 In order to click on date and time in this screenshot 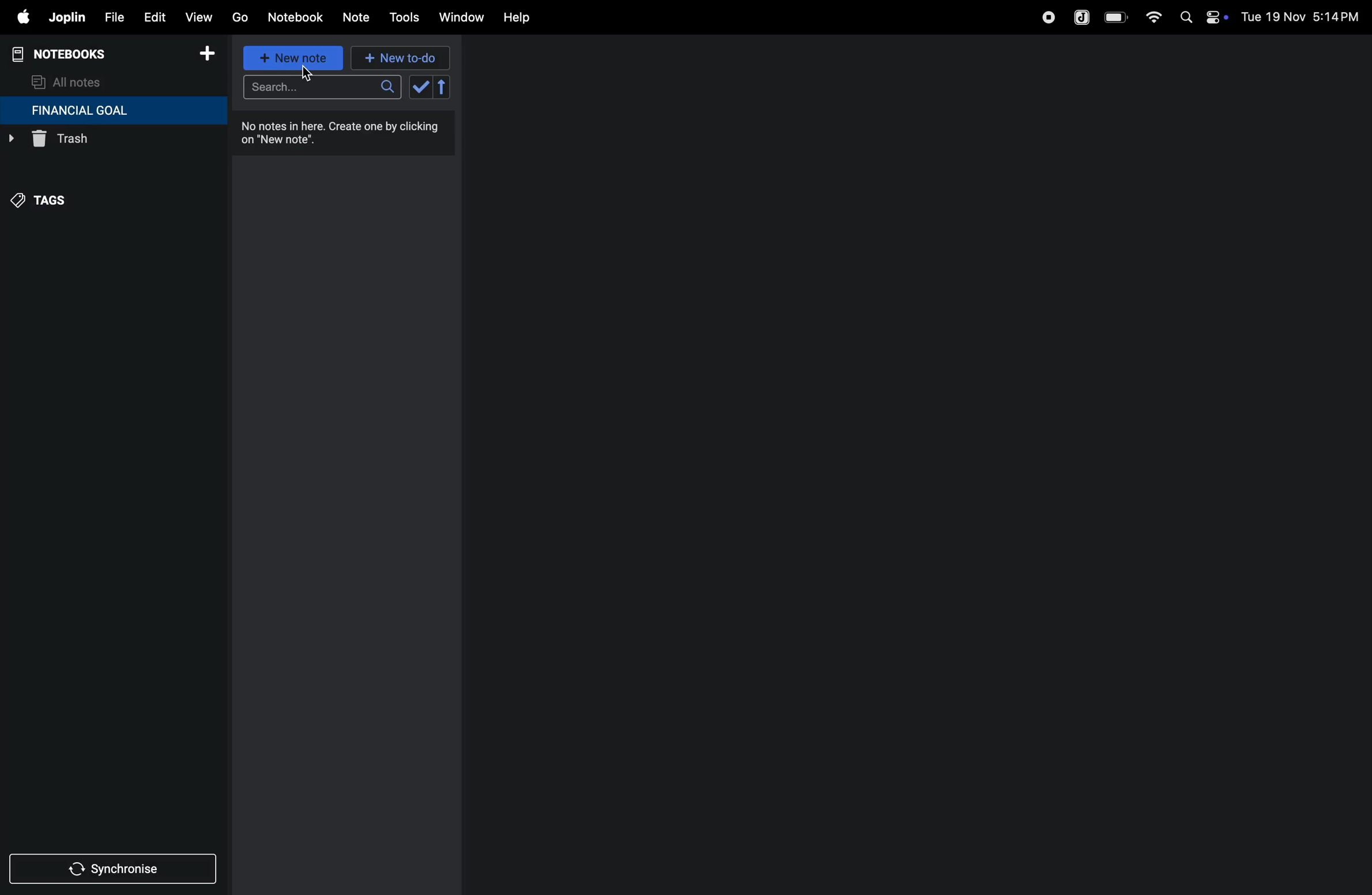, I will do `click(1304, 16)`.